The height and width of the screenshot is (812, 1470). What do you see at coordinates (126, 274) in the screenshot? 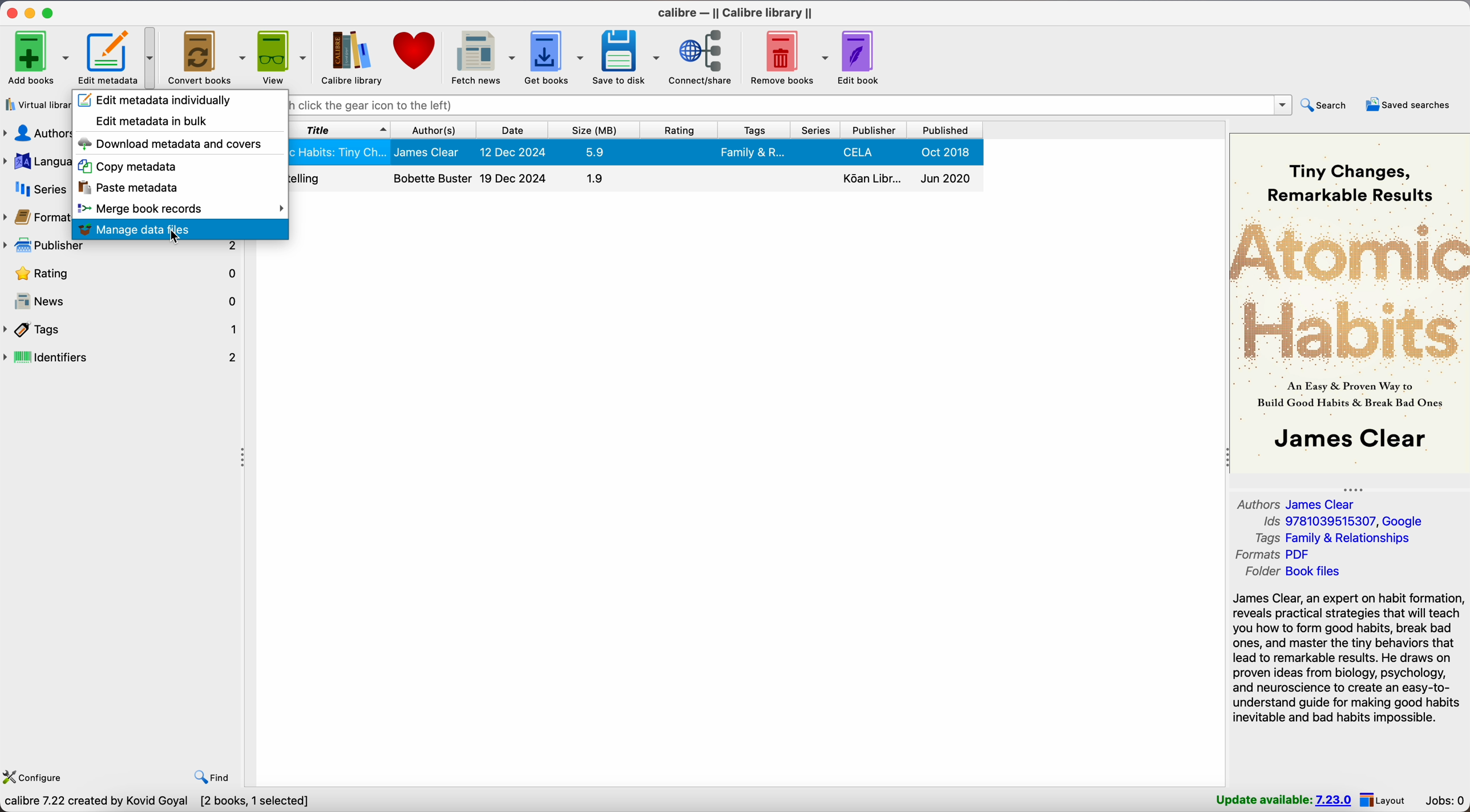
I see `rating` at bounding box center [126, 274].